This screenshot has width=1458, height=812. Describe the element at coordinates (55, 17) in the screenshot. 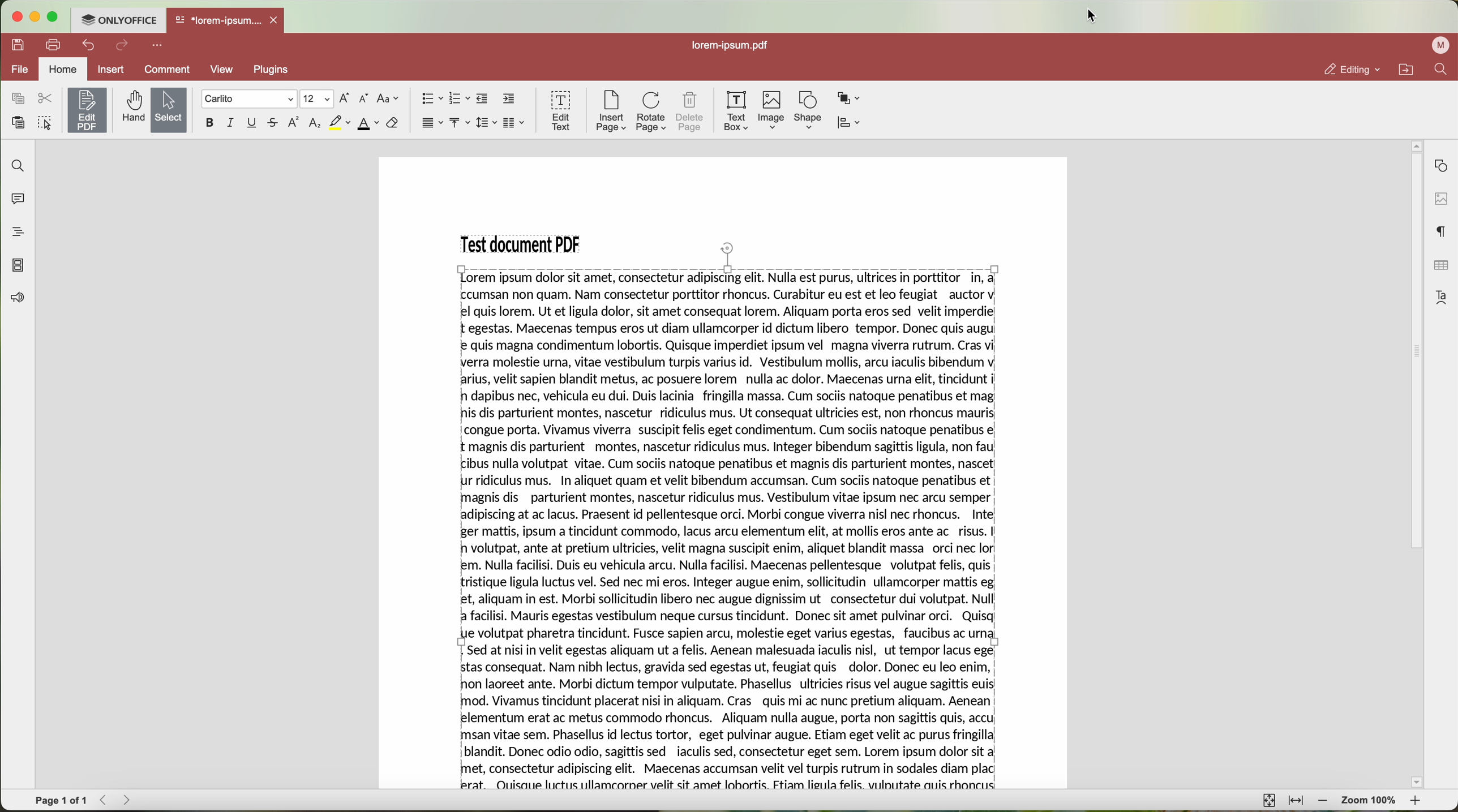

I see `maximize` at that location.